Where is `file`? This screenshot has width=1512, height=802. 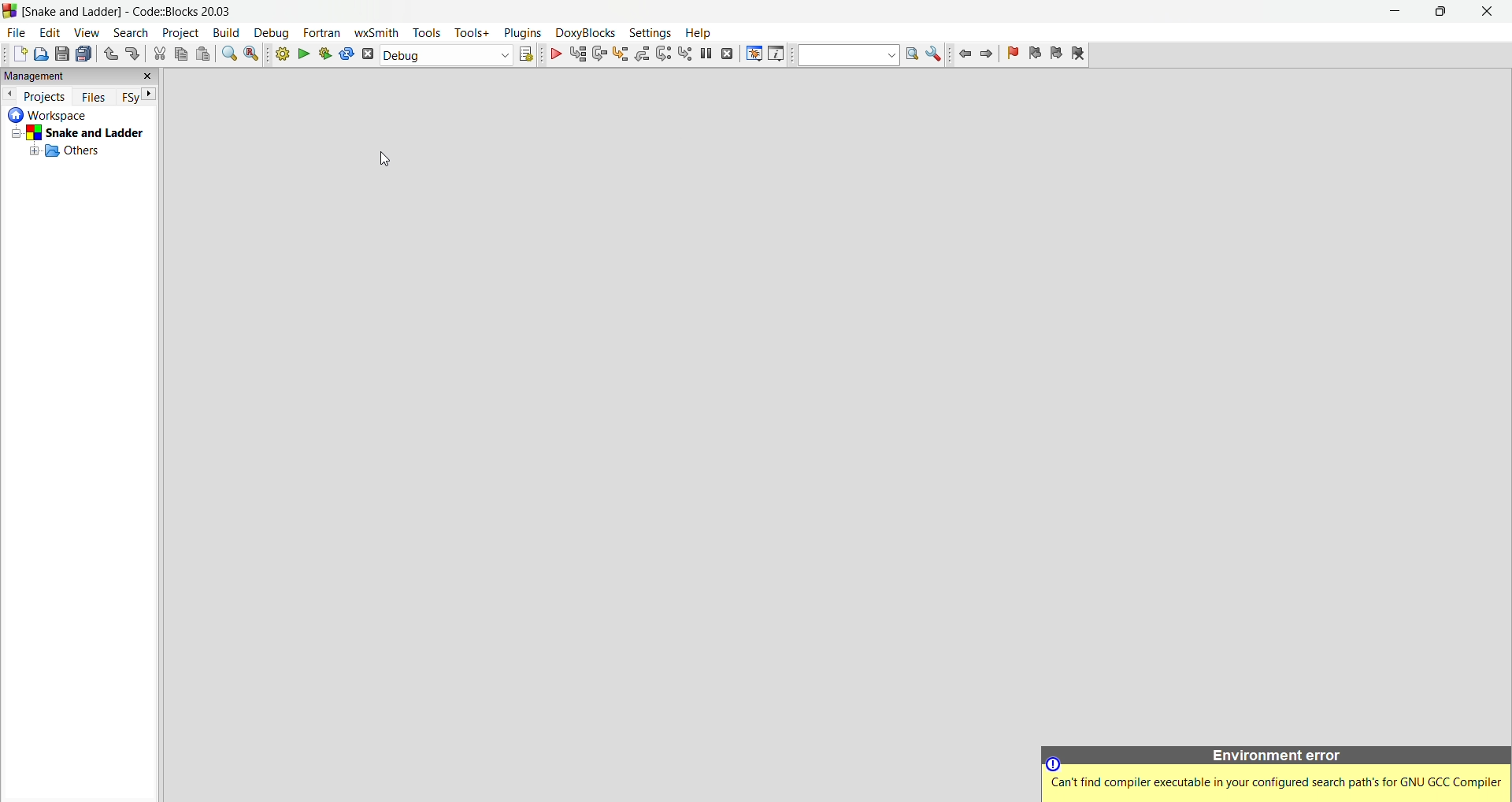 file is located at coordinates (17, 32).